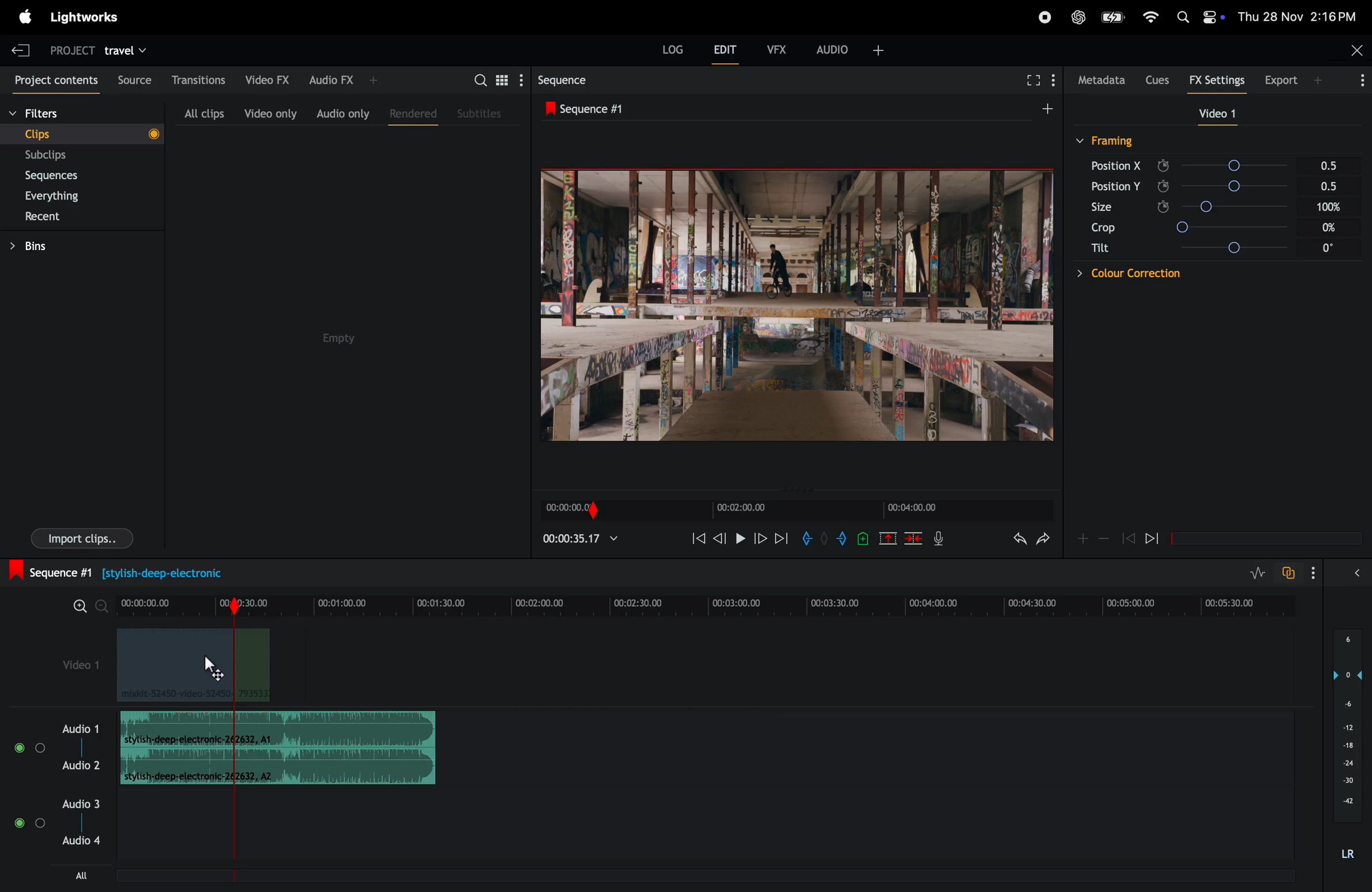  Describe the element at coordinates (342, 113) in the screenshot. I see `audio only` at that location.